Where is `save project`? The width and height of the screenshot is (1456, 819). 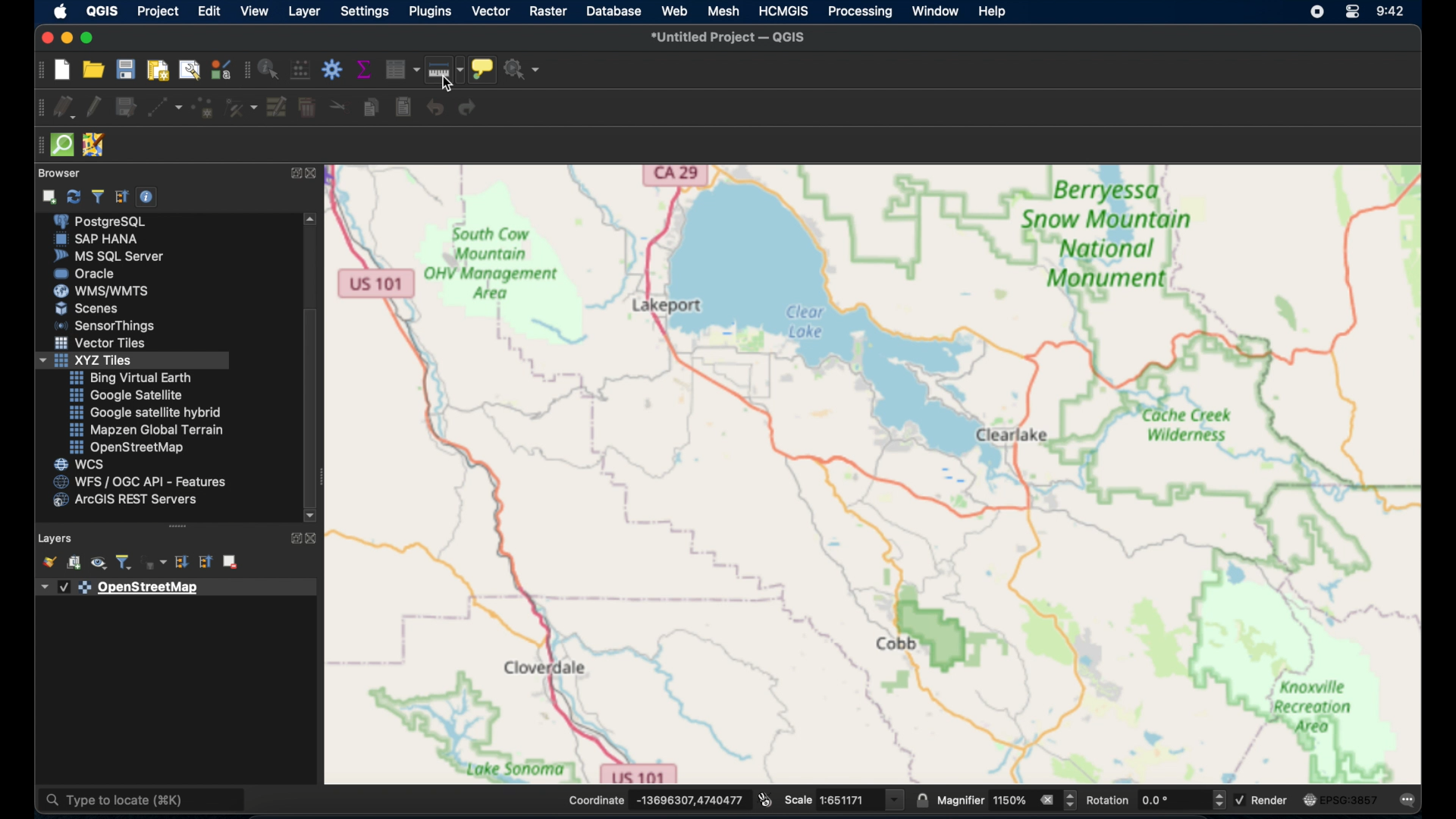
save project is located at coordinates (128, 70).